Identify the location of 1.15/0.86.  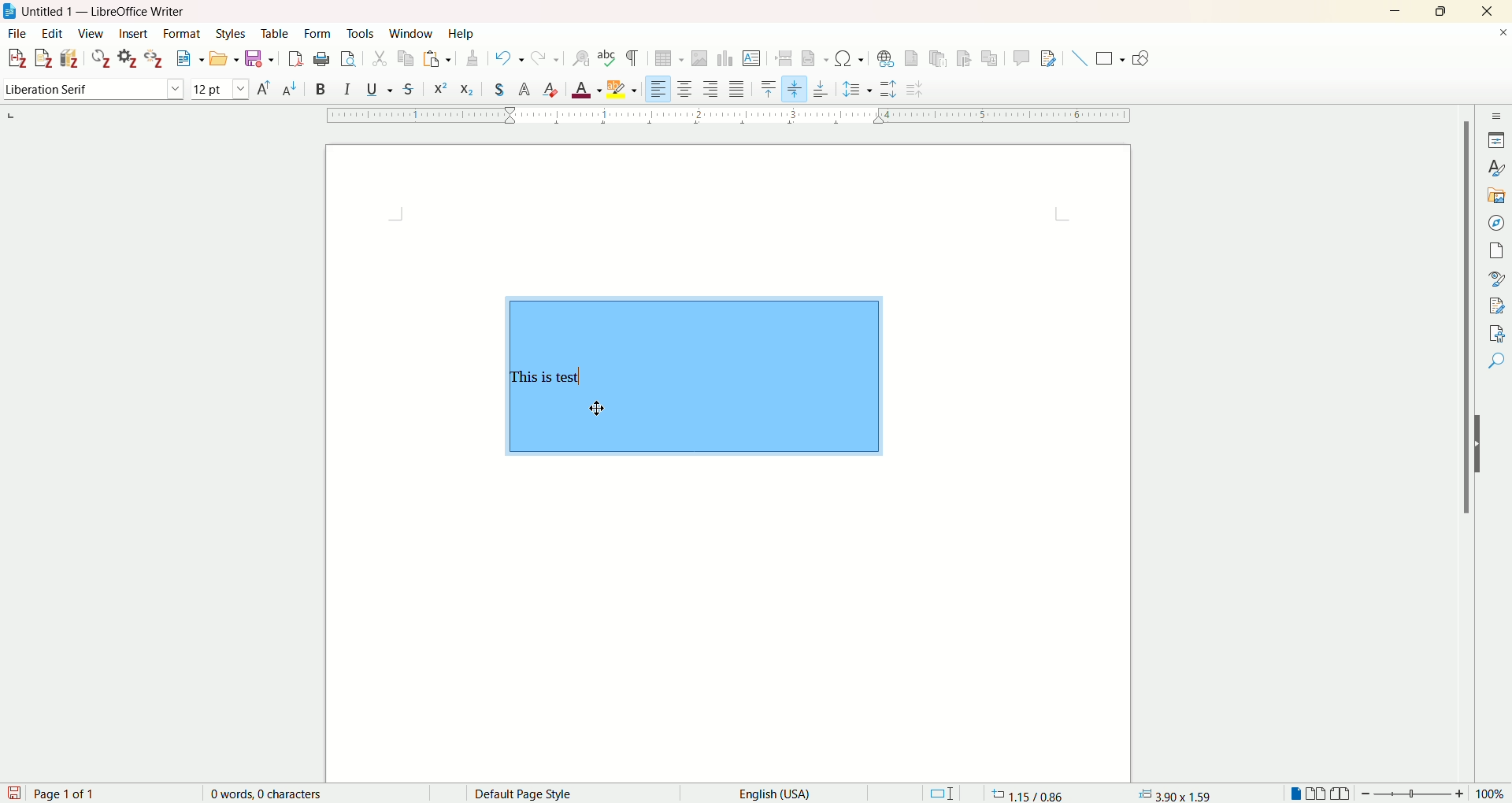
(1027, 792).